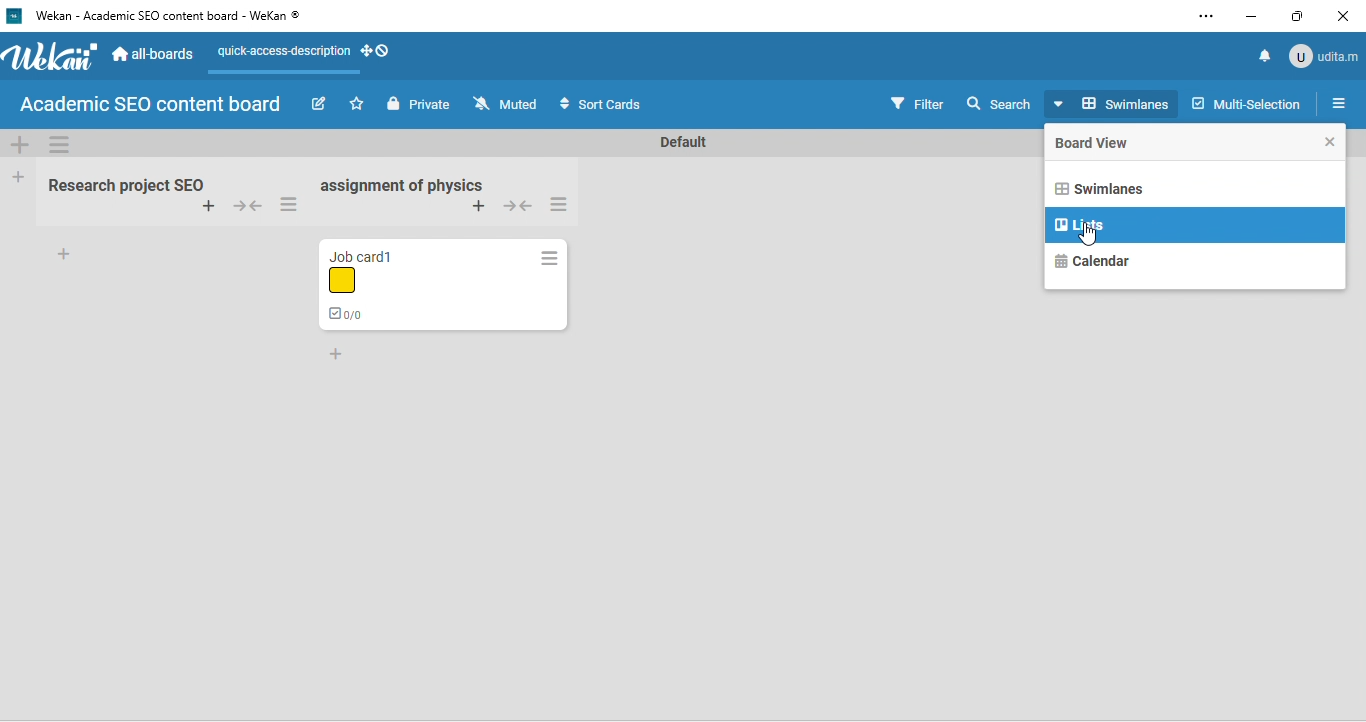  What do you see at coordinates (564, 205) in the screenshot?
I see `list action` at bounding box center [564, 205].